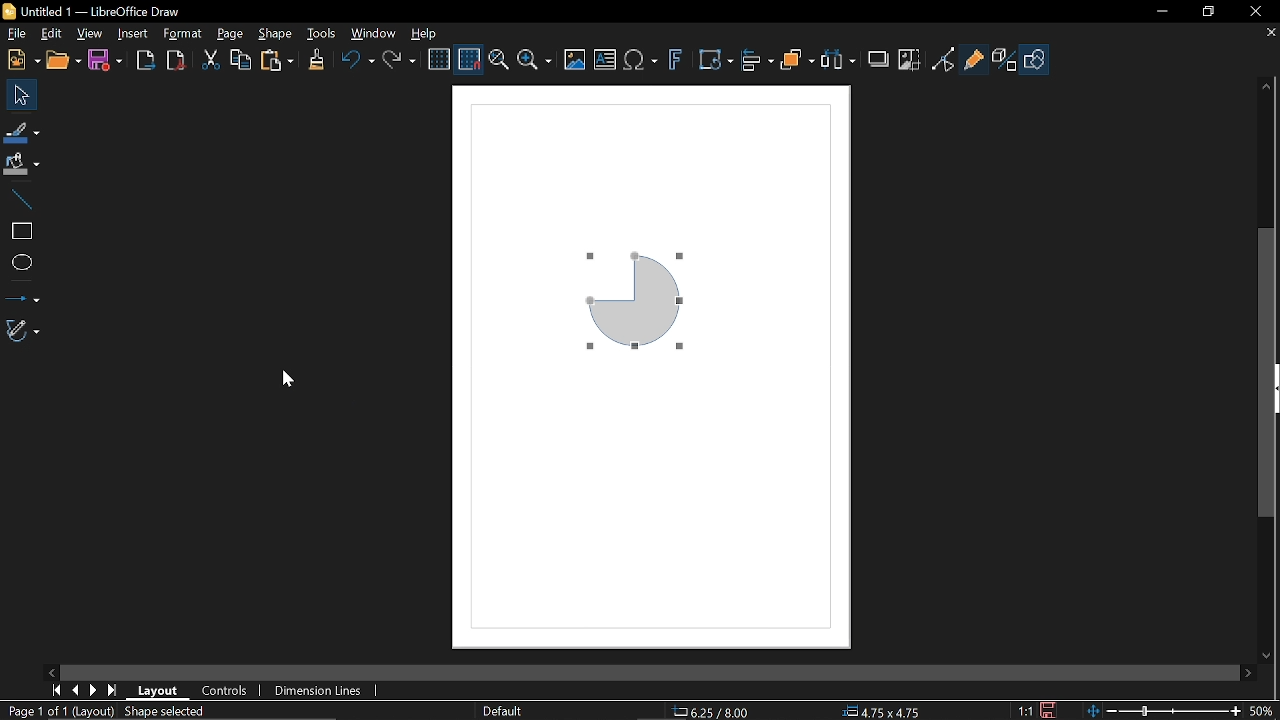  Describe the element at coordinates (1027, 711) in the screenshot. I see `1:1 (Scaling factor)` at that location.